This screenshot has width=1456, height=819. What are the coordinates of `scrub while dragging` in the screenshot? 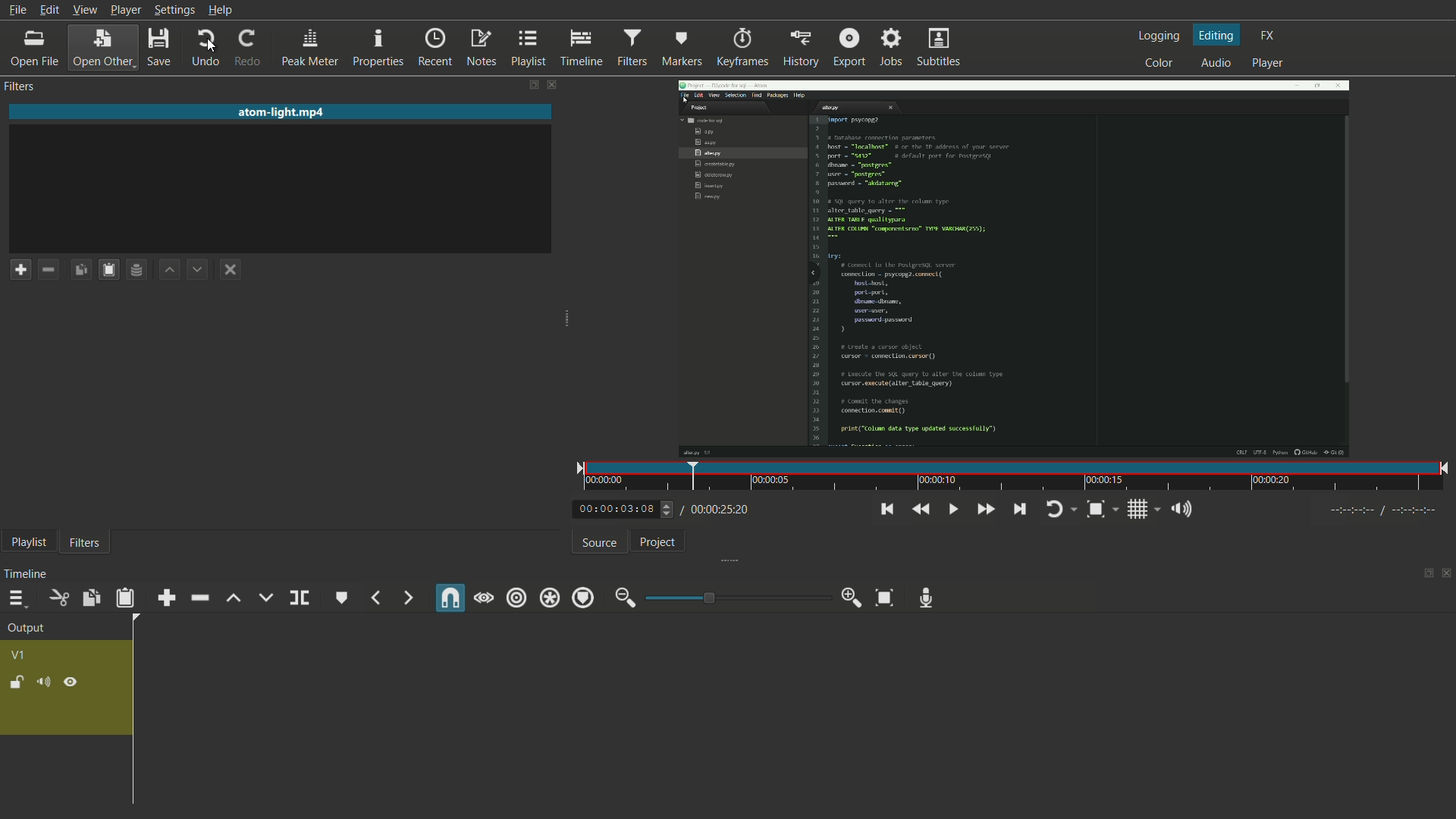 It's located at (484, 598).